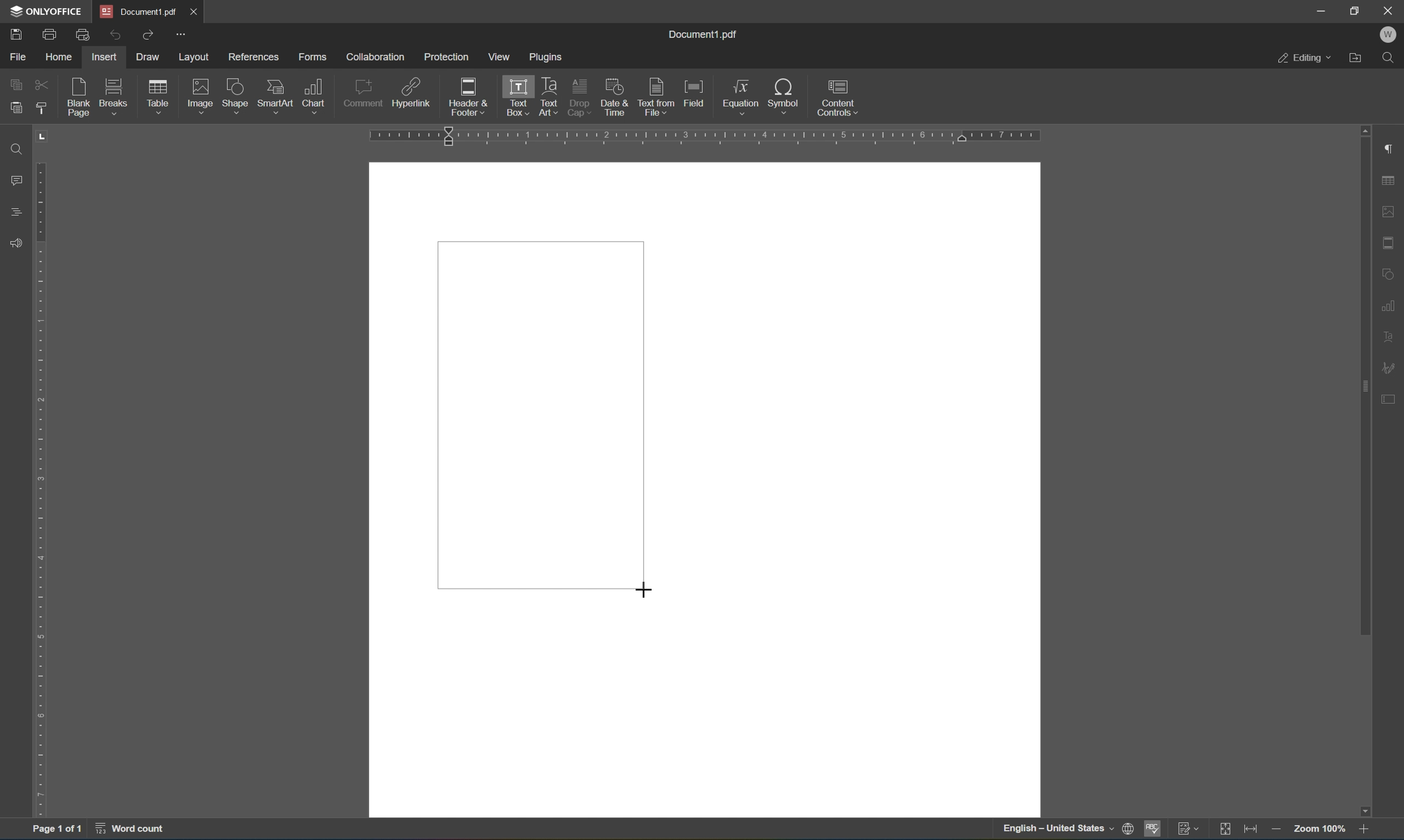 This screenshot has width=1404, height=840. Describe the element at coordinates (1279, 830) in the screenshot. I see `zoom in` at that location.